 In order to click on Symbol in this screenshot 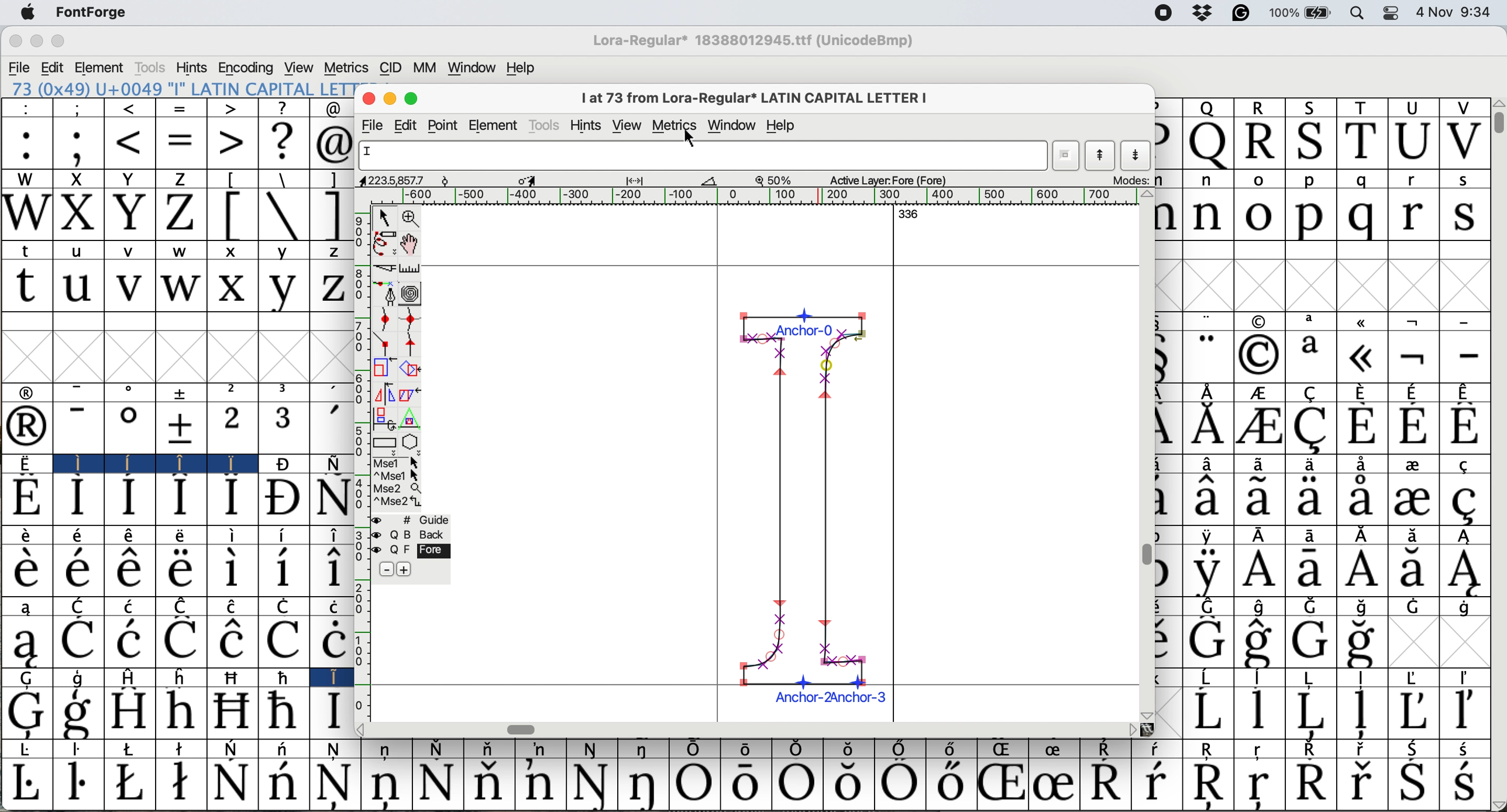, I will do `click(128, 429)`.